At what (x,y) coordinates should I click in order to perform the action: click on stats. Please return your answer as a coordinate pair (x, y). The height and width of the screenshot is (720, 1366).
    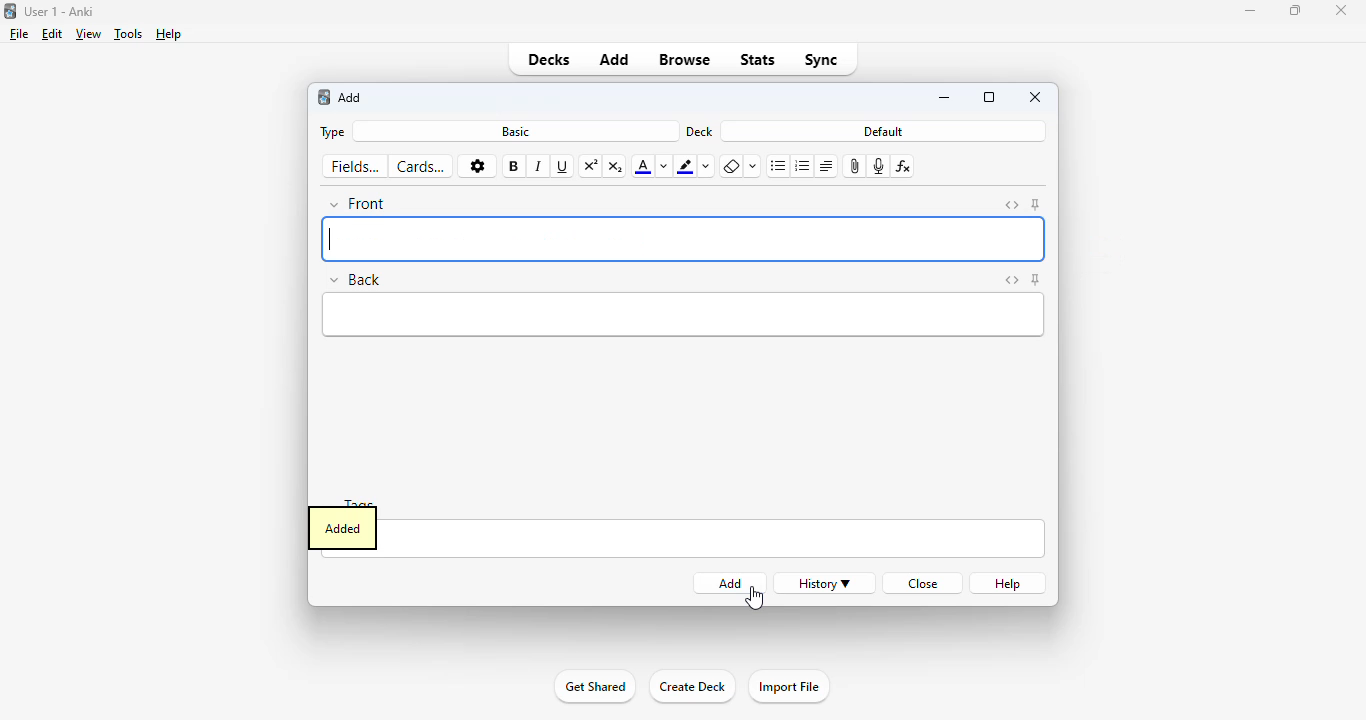
    Looking at the image, I should click on (757, 60).